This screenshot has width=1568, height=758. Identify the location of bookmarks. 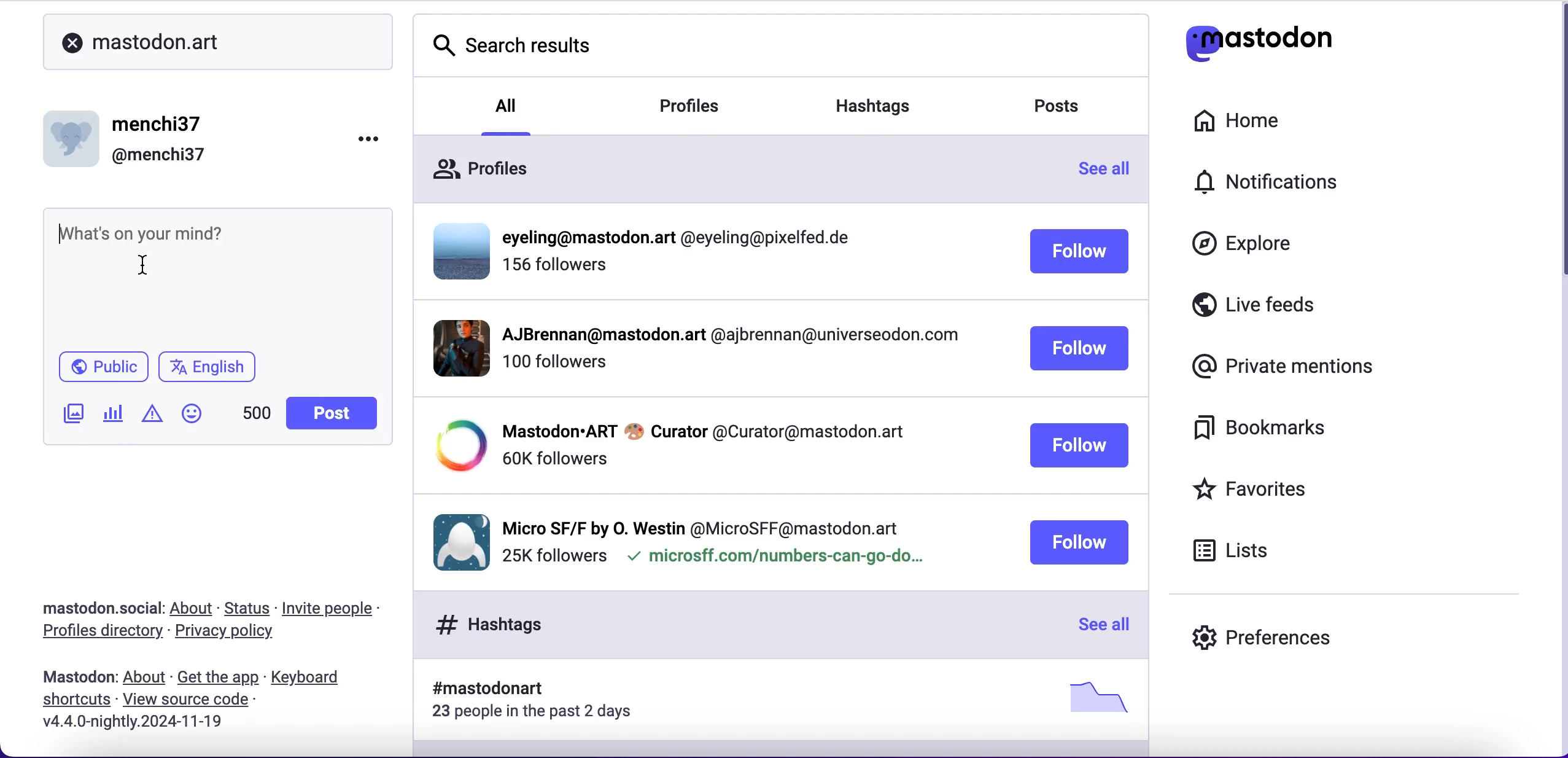
(1269, 432).